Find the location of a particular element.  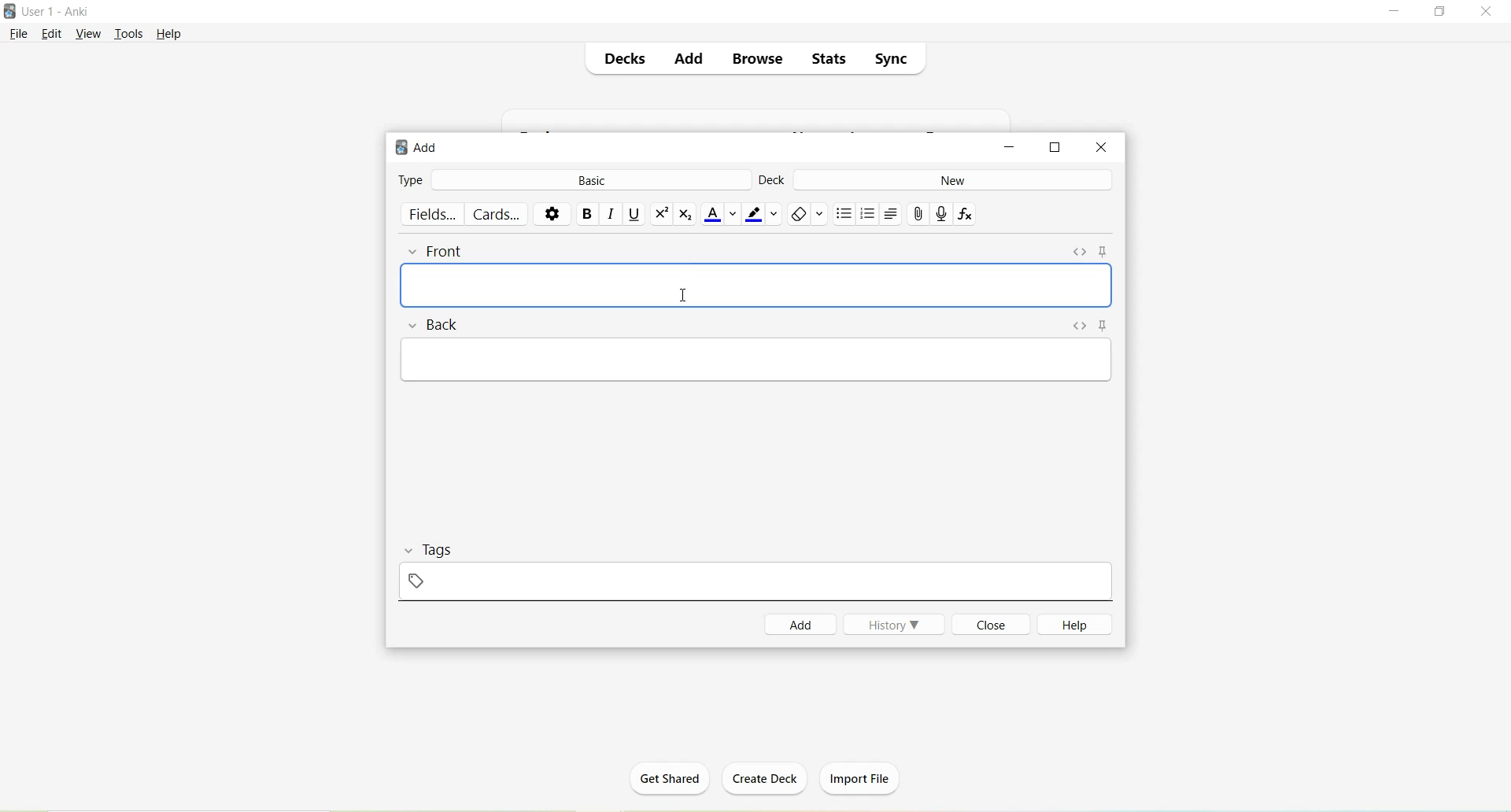

Toggle HTML Editor is located at coordinates (1080, 253).